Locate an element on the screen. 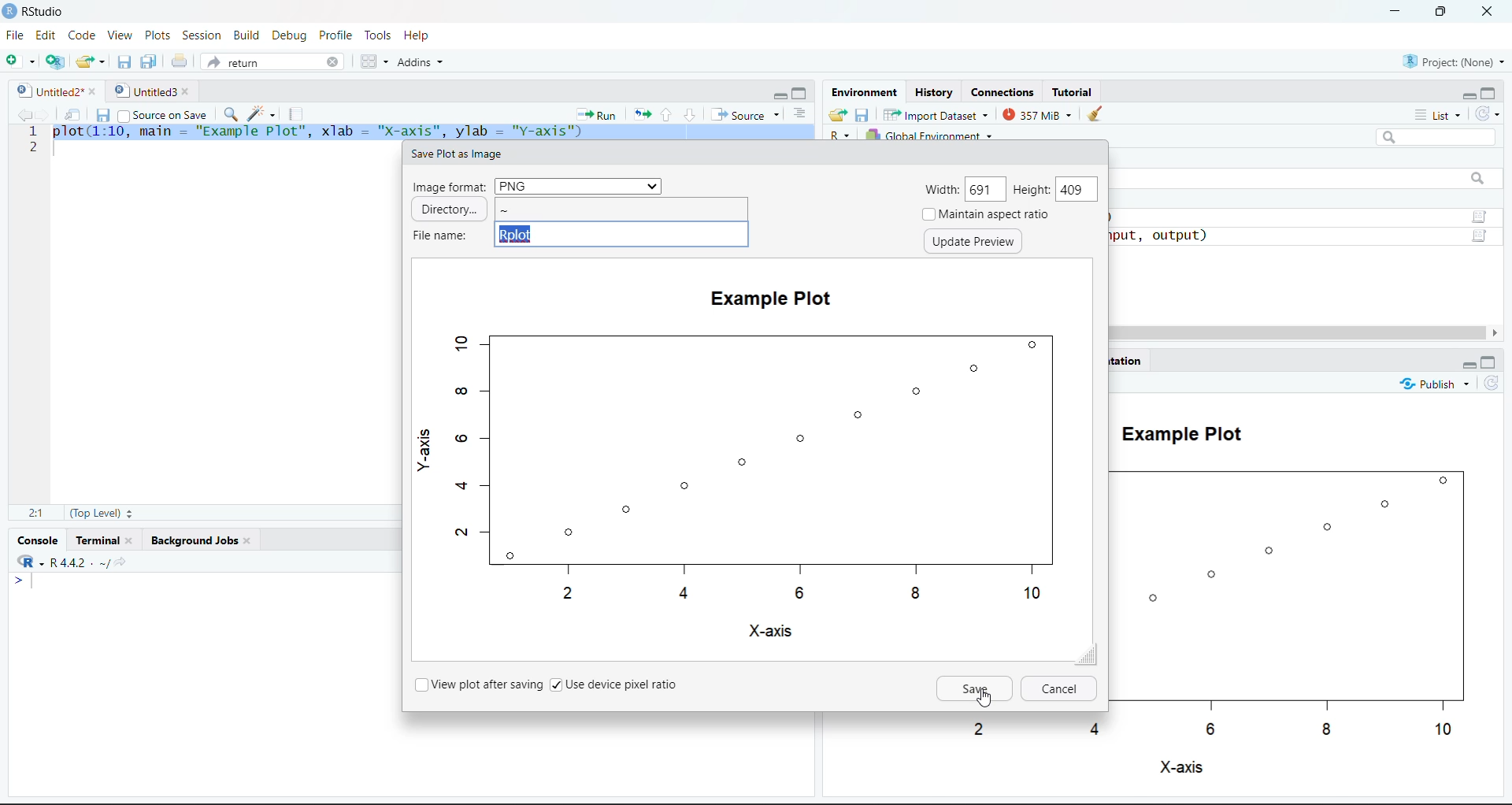  X-axis is located at coordinates (1180, 768).